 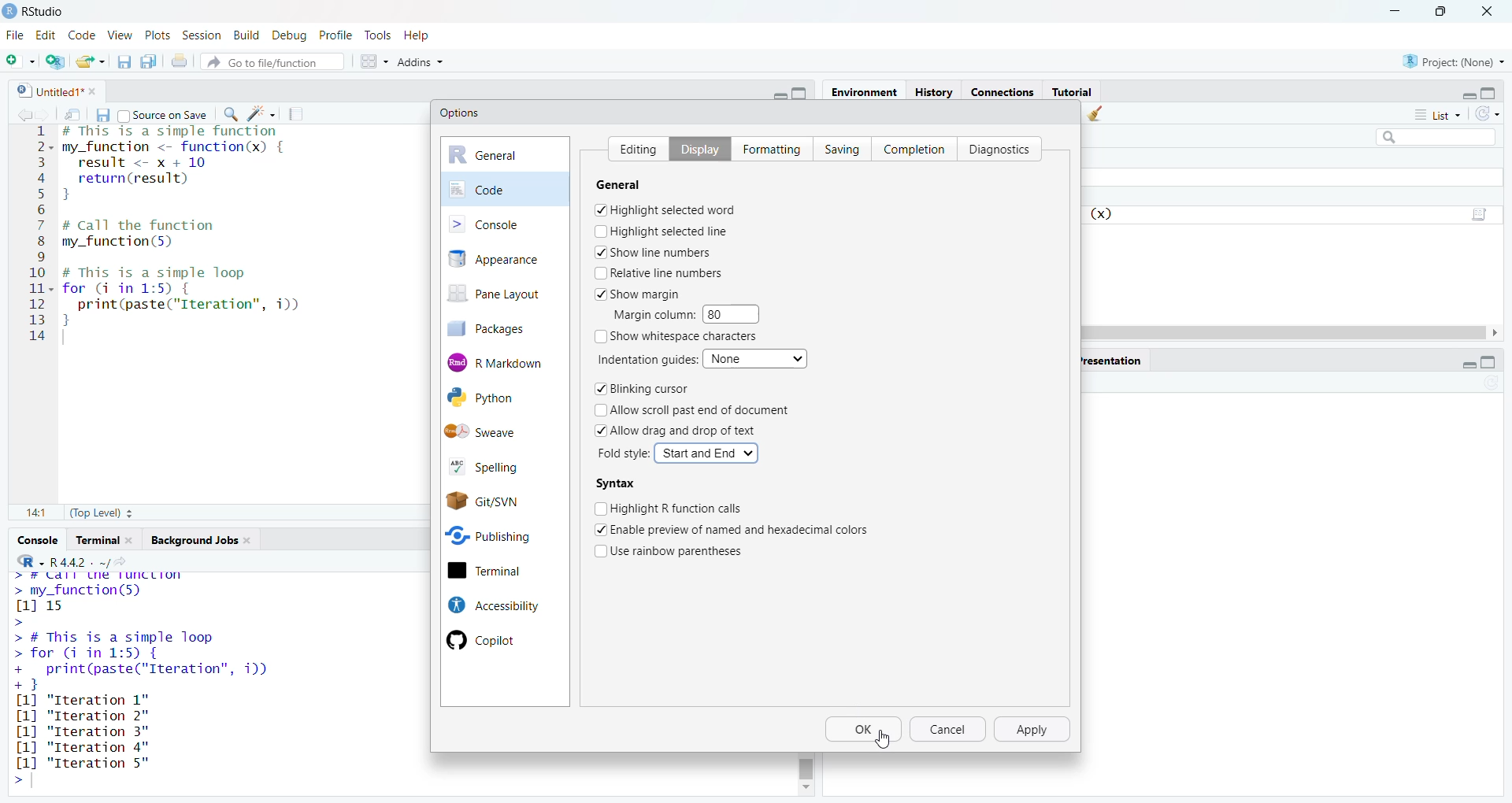 I want to click on code of a simple loop, so click(x=187, y=296).